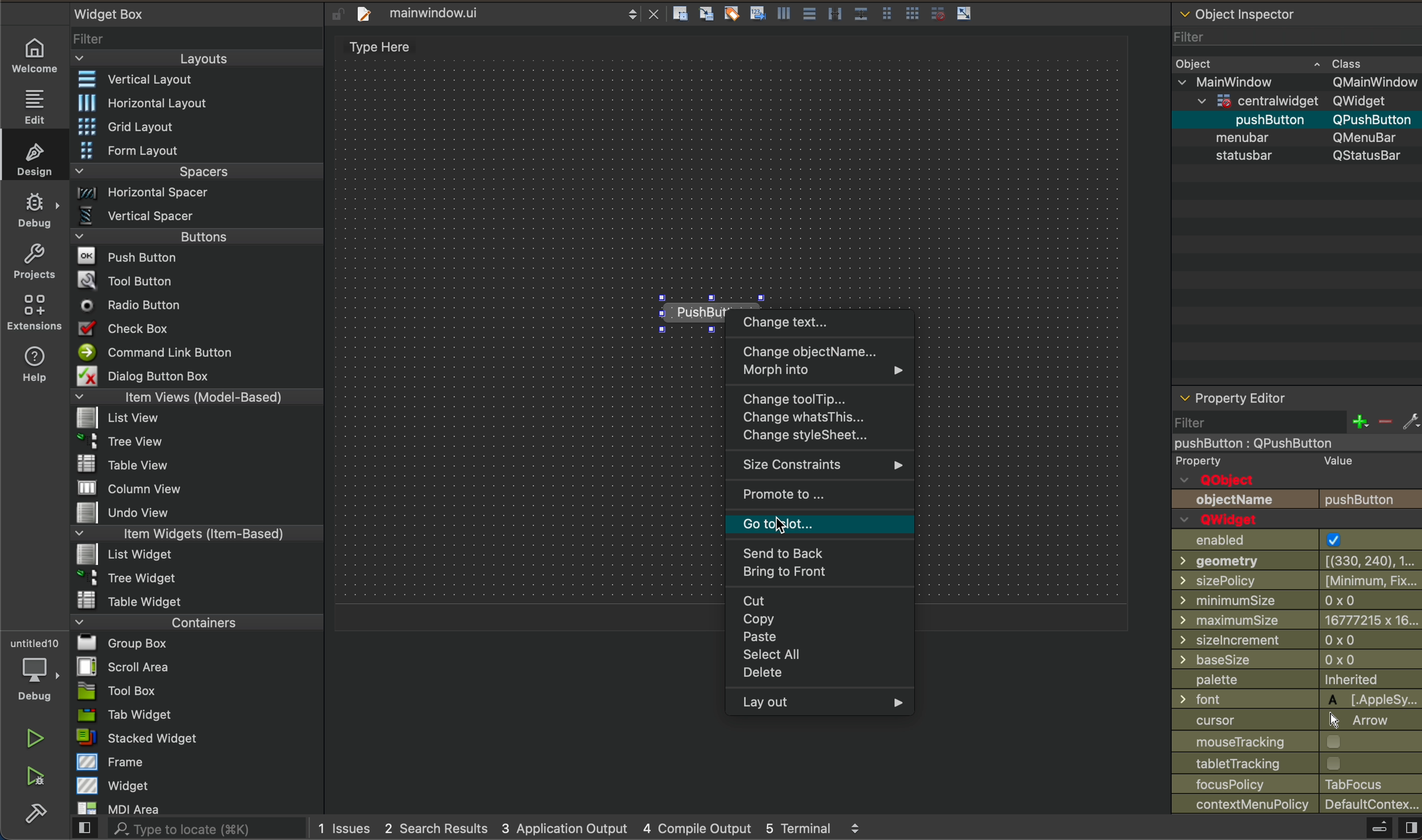 Image resolution: width=1422 pixels, height=840 pixels. Describe the element at coordinates (194, 717) in the screenshot. I see `tab widget` at that location.